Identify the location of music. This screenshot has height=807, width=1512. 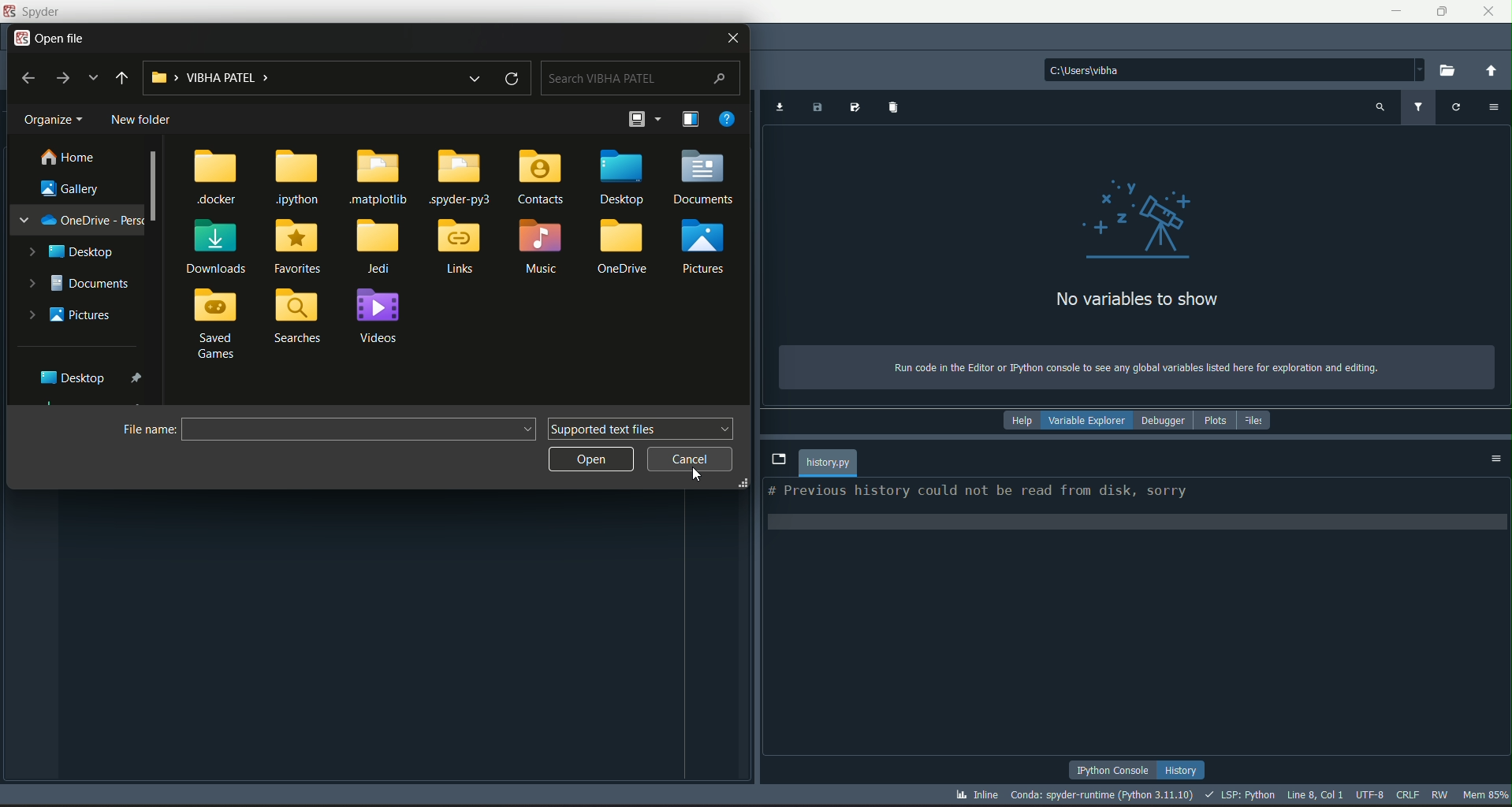
(542, 247).